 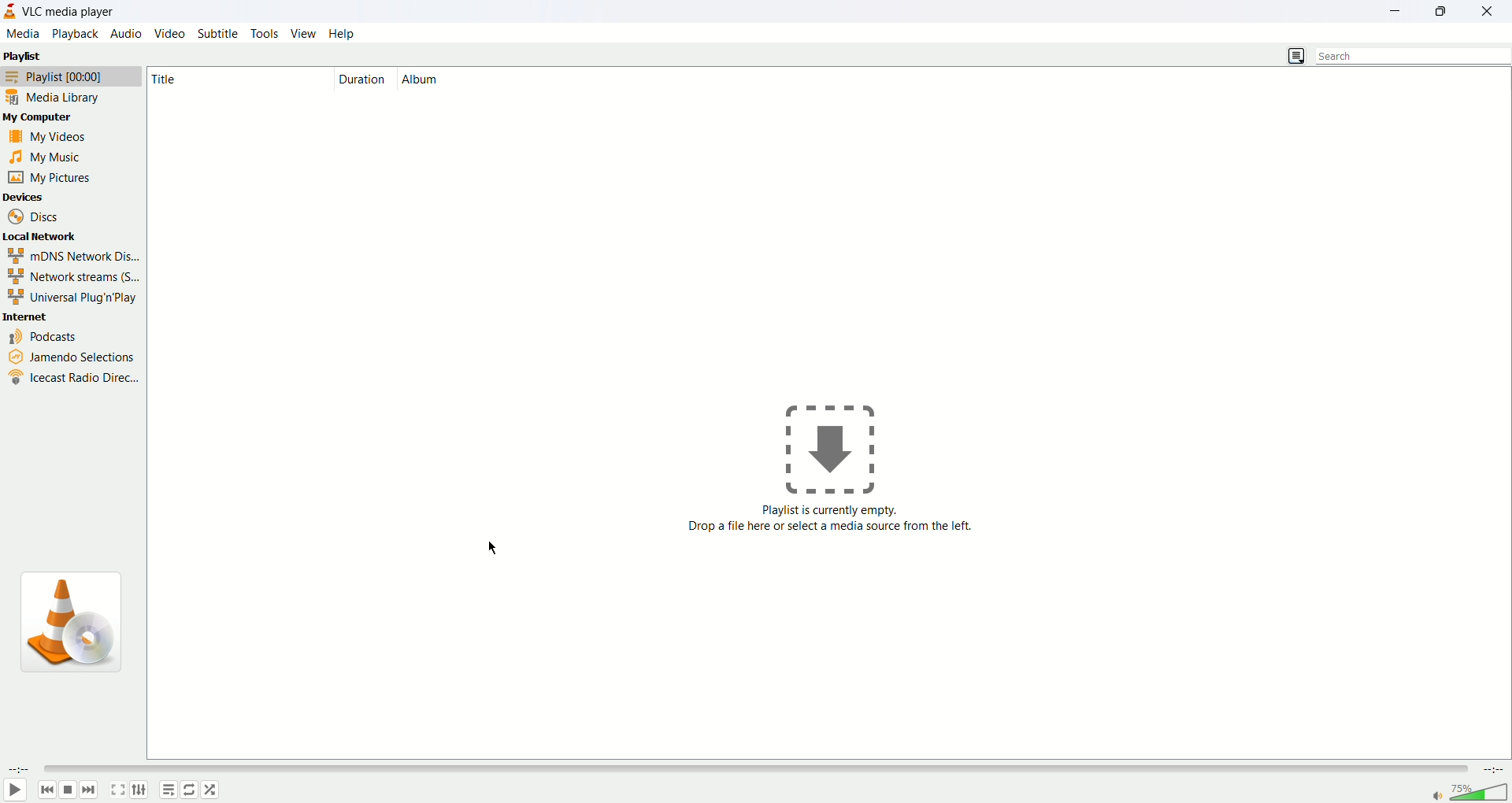 What do you see at coordinates (1480, 793) in the screenshot?
I see `volume bar` at bounding box center [1480, 793].